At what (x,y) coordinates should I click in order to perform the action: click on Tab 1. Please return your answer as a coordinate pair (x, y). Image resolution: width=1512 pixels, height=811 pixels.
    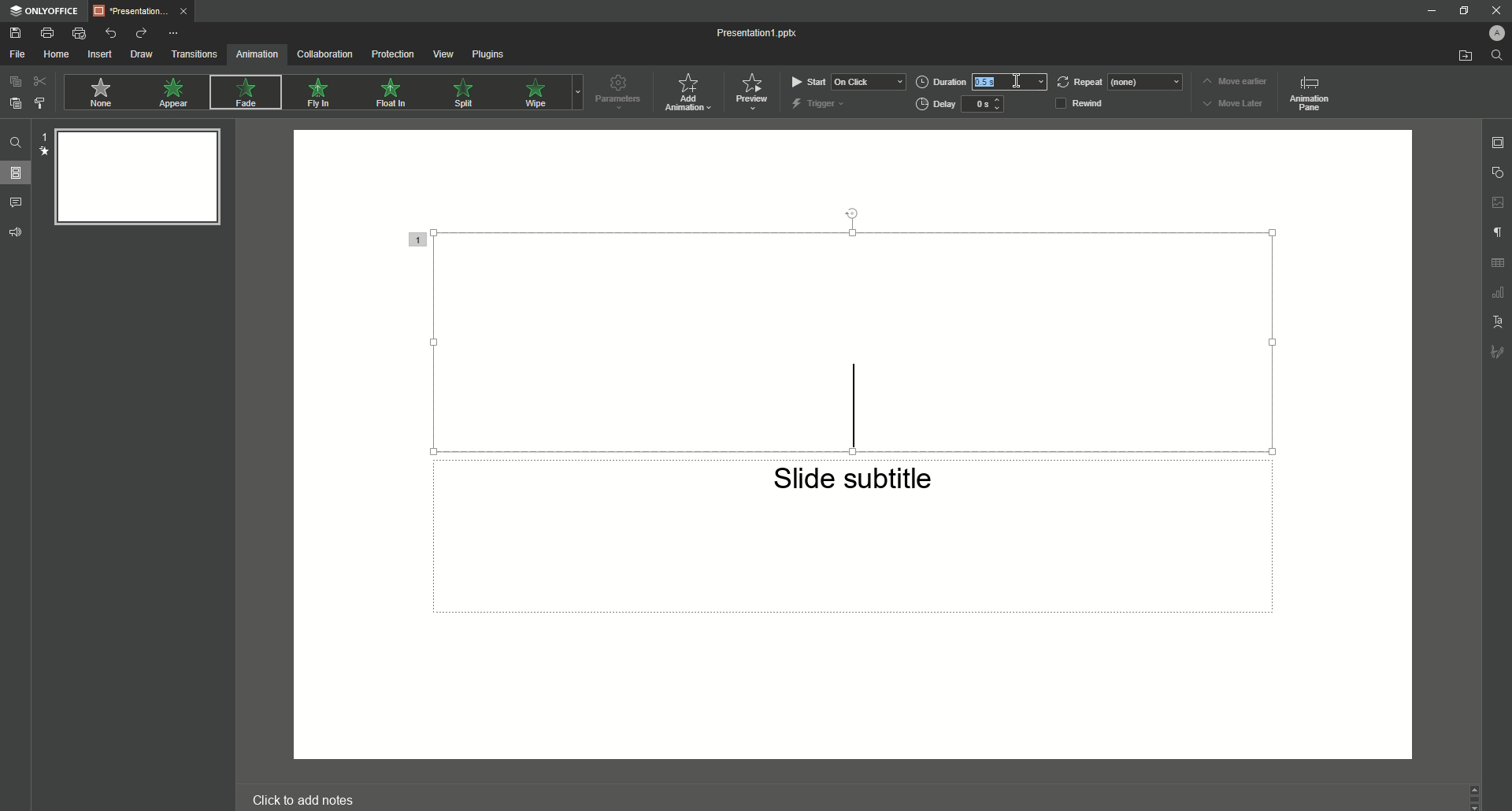
    Looking at the image, I should click on (146, 13).